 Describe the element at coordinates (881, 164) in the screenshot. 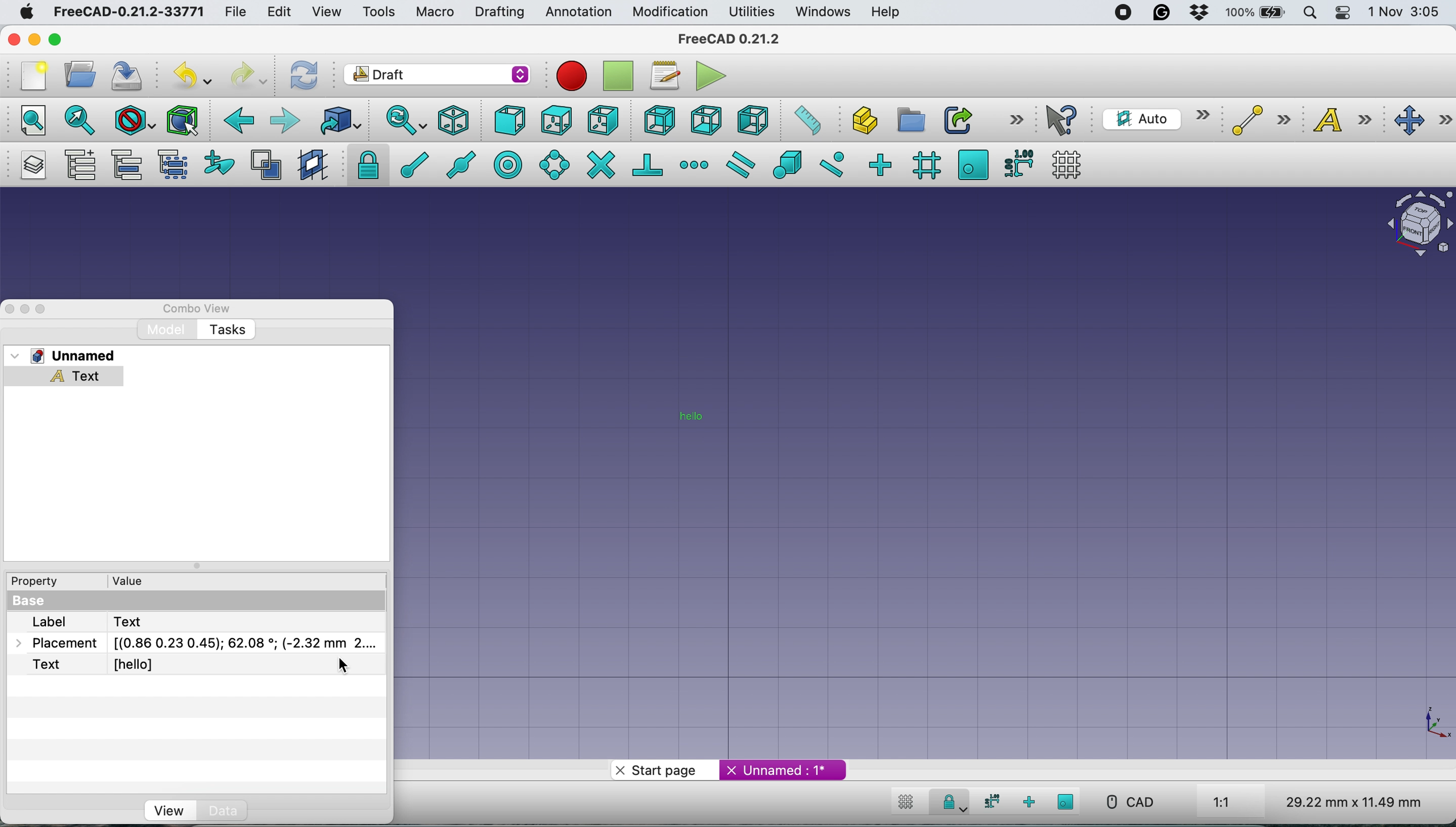

I see `snap ortho` at that location.